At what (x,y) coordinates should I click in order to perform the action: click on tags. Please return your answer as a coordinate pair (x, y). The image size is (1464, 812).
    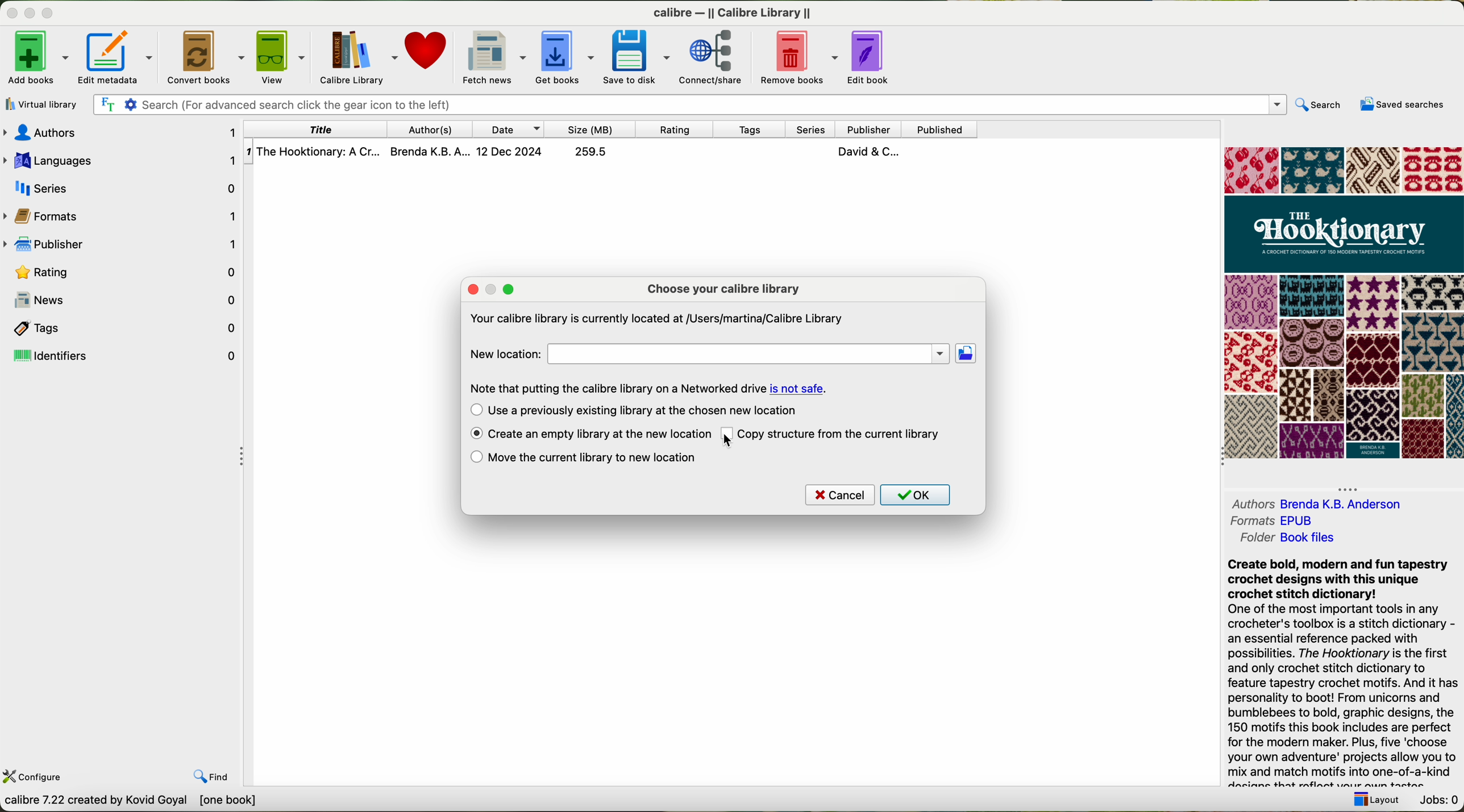
    Looking at the image, I should click on (120, 329).